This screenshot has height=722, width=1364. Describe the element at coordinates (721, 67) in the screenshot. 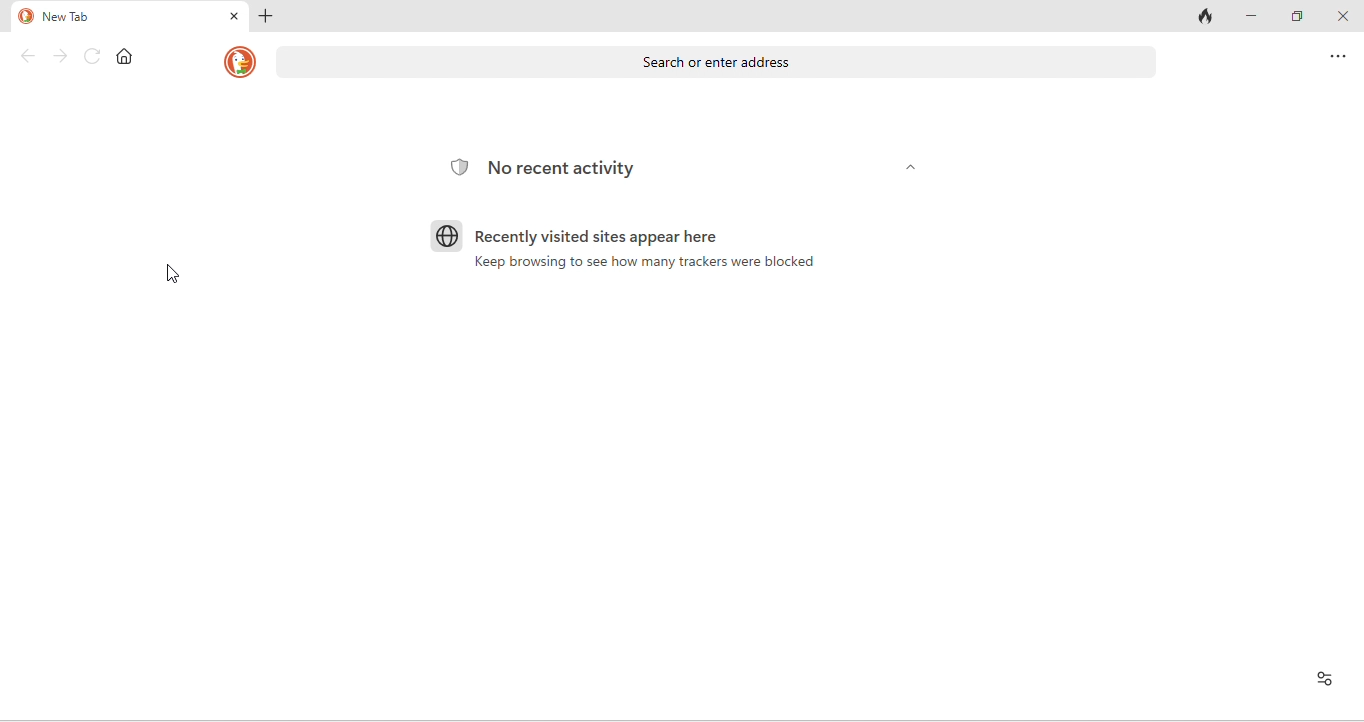

I see `search or enter address` at that location.